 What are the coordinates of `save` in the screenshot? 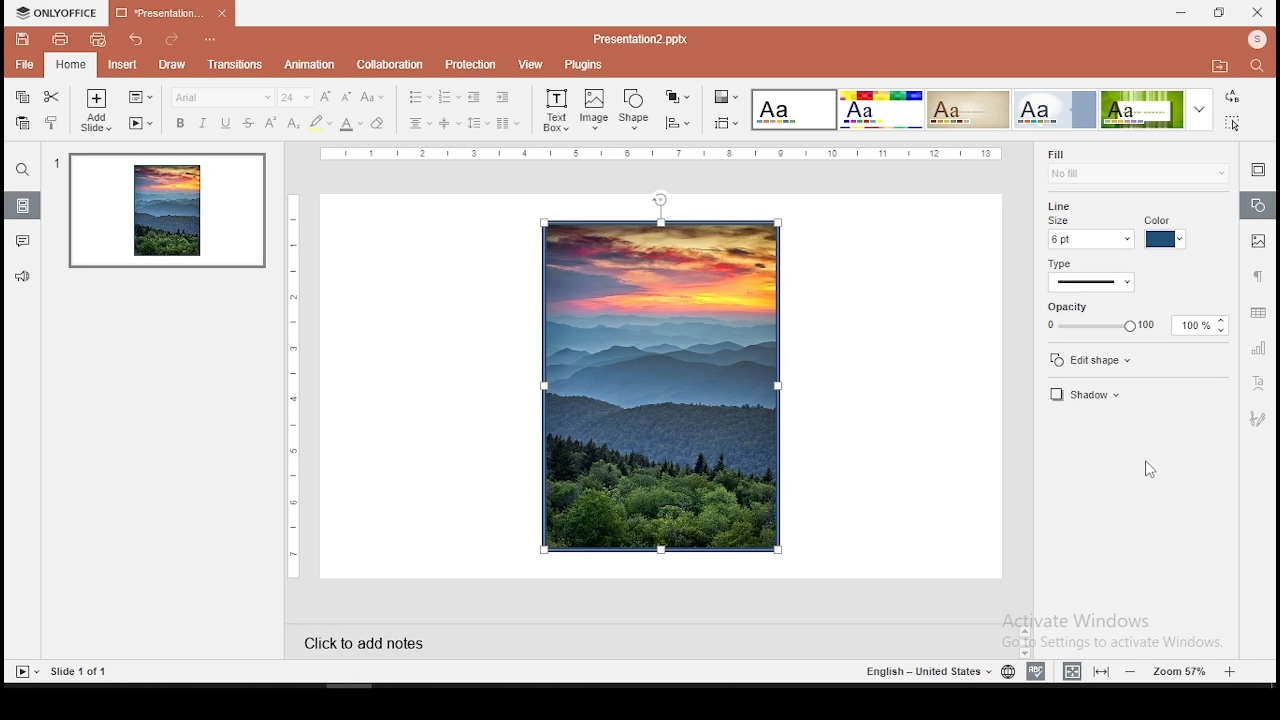 It's located at (19, 38).